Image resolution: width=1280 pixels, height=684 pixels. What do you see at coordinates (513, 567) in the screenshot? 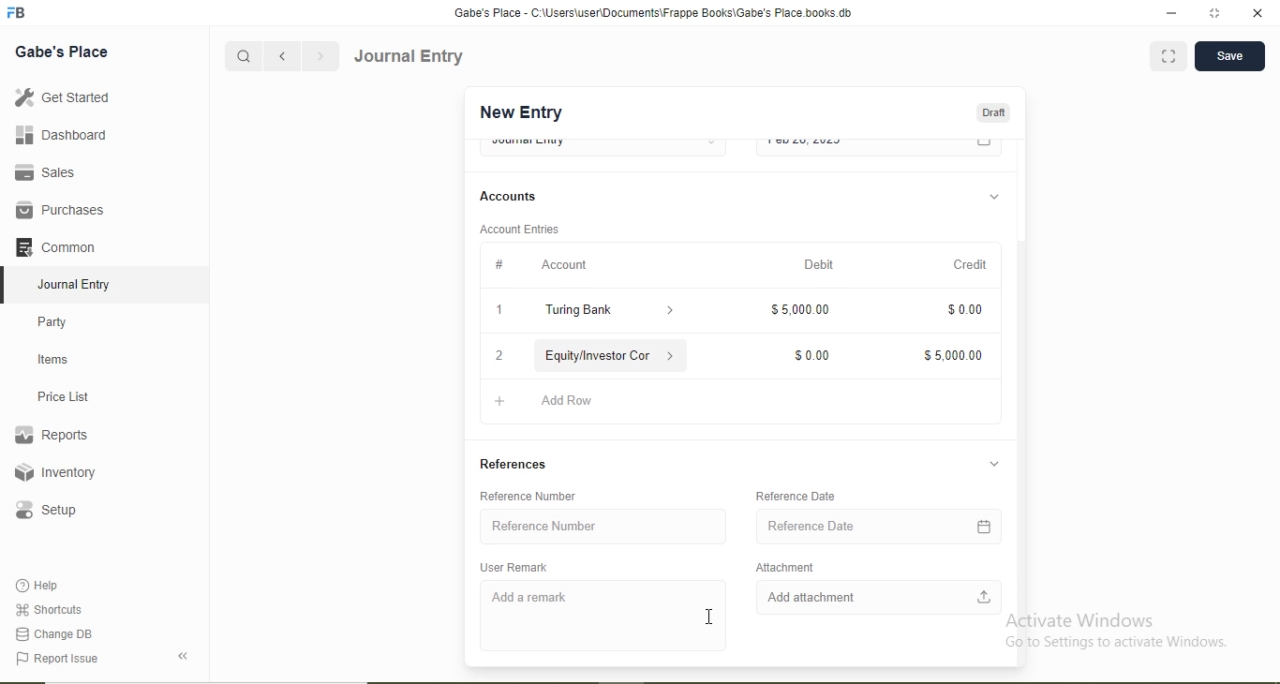
I see `User Remark` at bounding box center [513, 567].